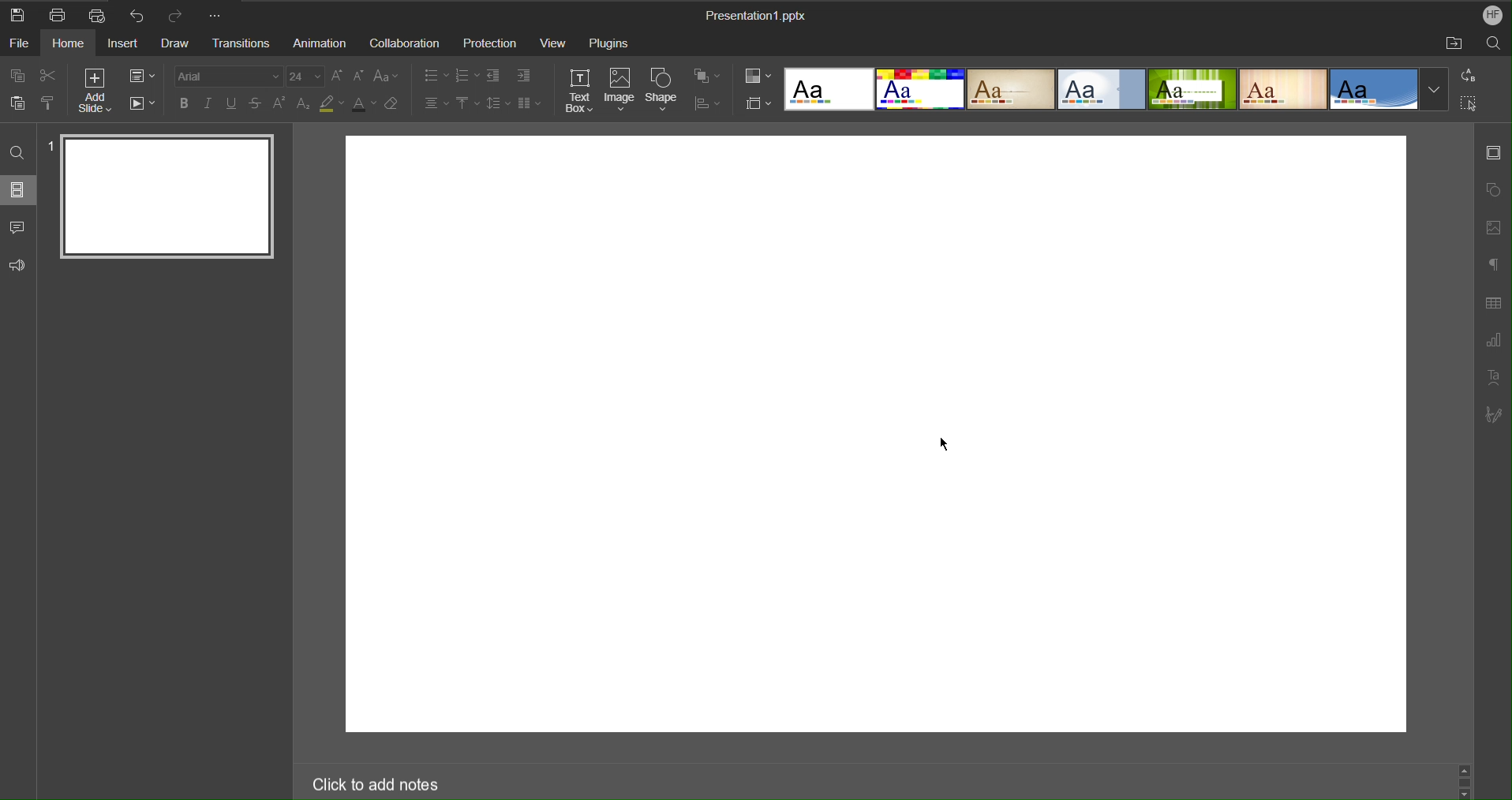 This screenshot has width=1512, height=800. I want to click on Decrease Size, so click(360, 76).